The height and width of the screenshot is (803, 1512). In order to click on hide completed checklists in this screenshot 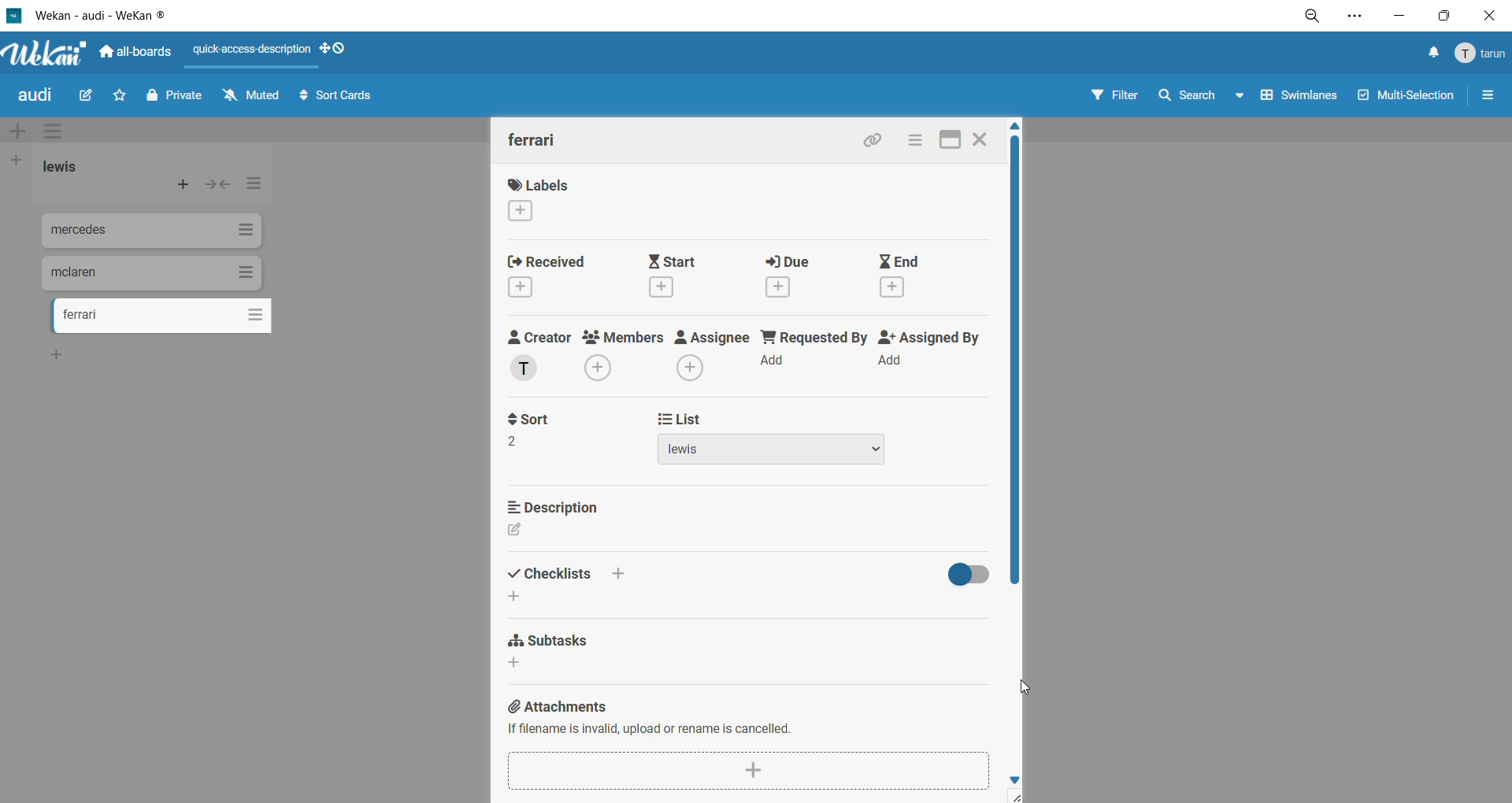, I will do `click(966, 576)`.